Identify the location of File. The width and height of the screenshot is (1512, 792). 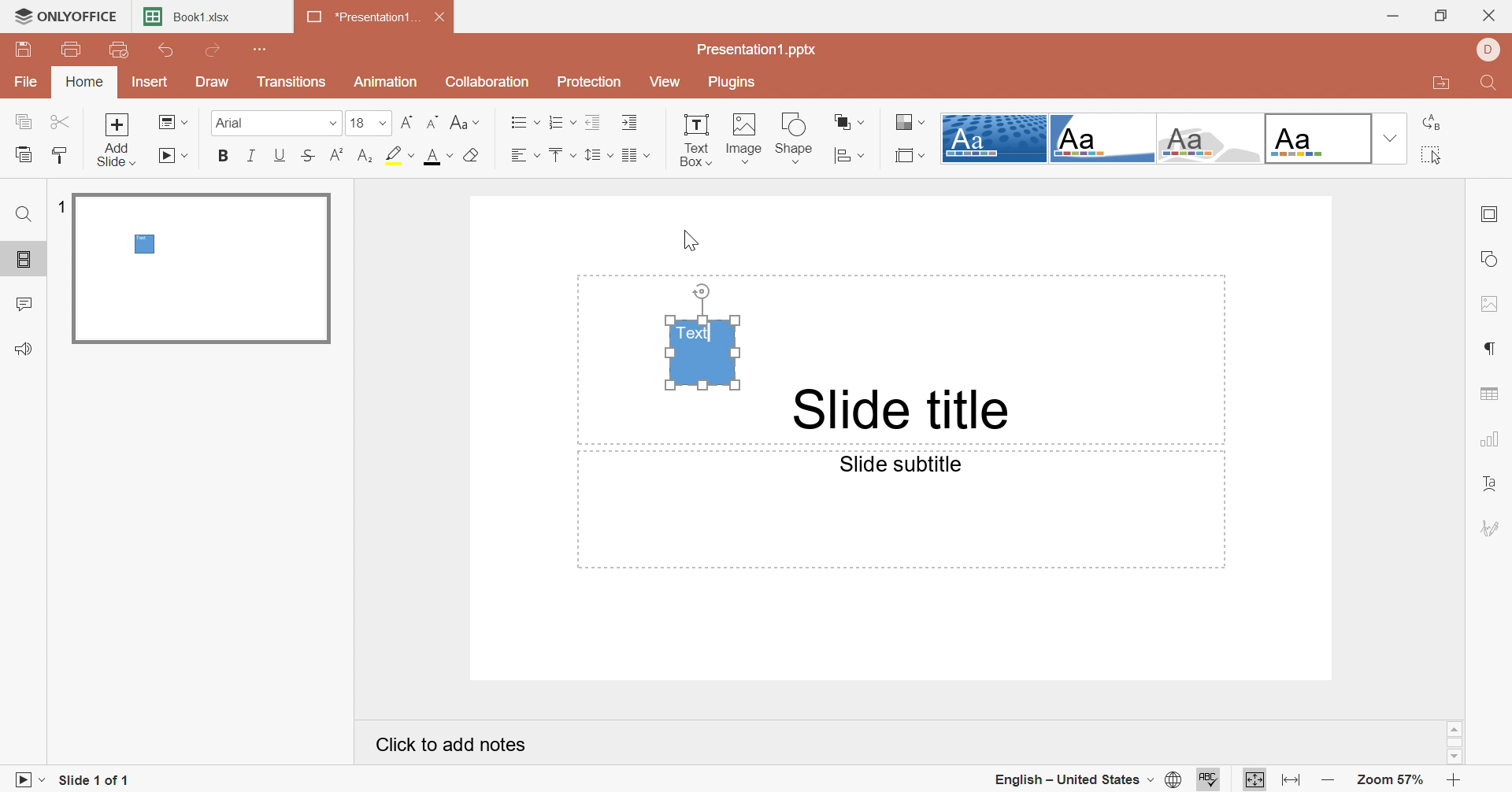
(28, 83).